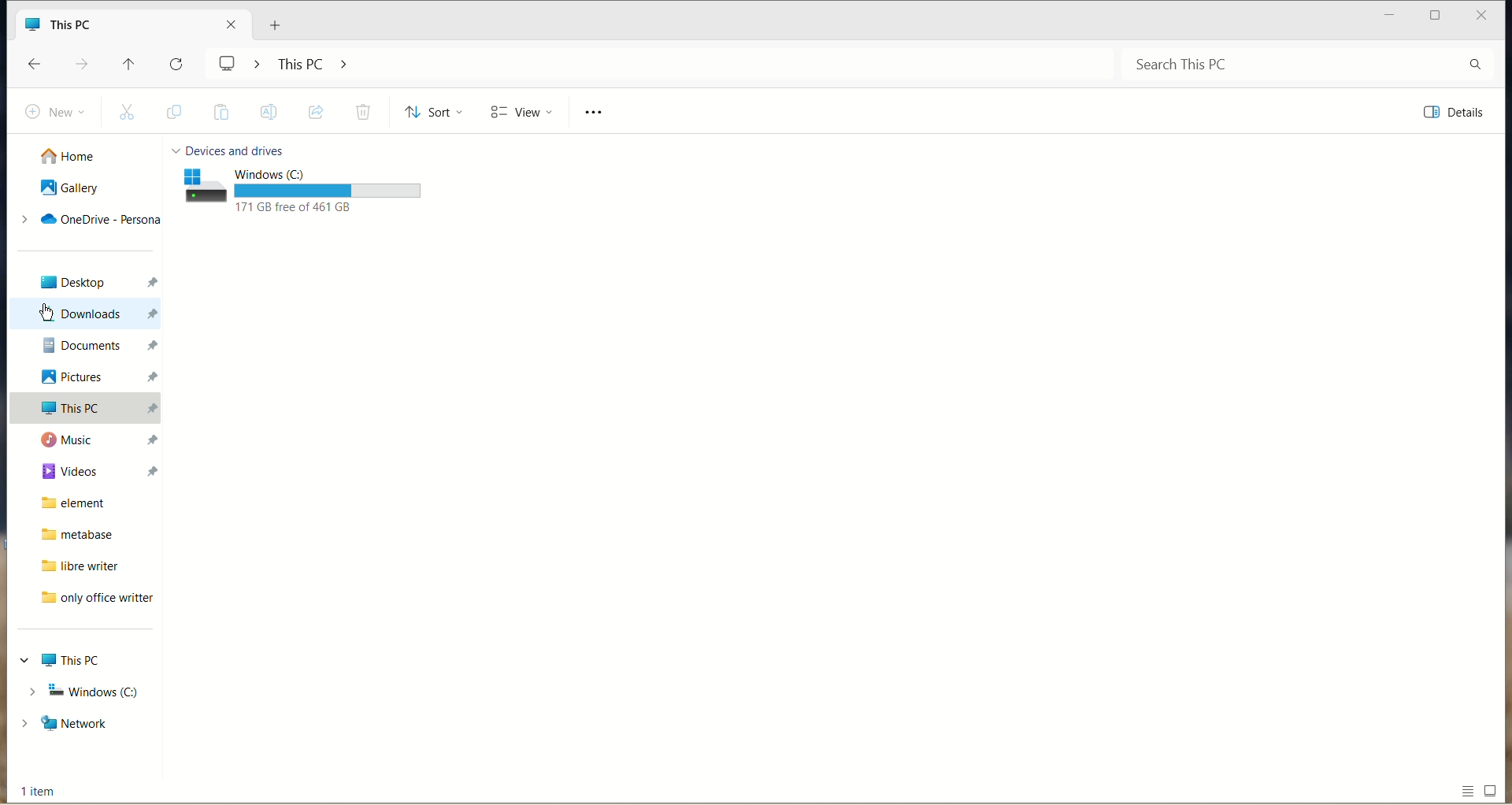 The height and width of the screenshot is (805, 1512). I want to click on icon, so click(33, 24).